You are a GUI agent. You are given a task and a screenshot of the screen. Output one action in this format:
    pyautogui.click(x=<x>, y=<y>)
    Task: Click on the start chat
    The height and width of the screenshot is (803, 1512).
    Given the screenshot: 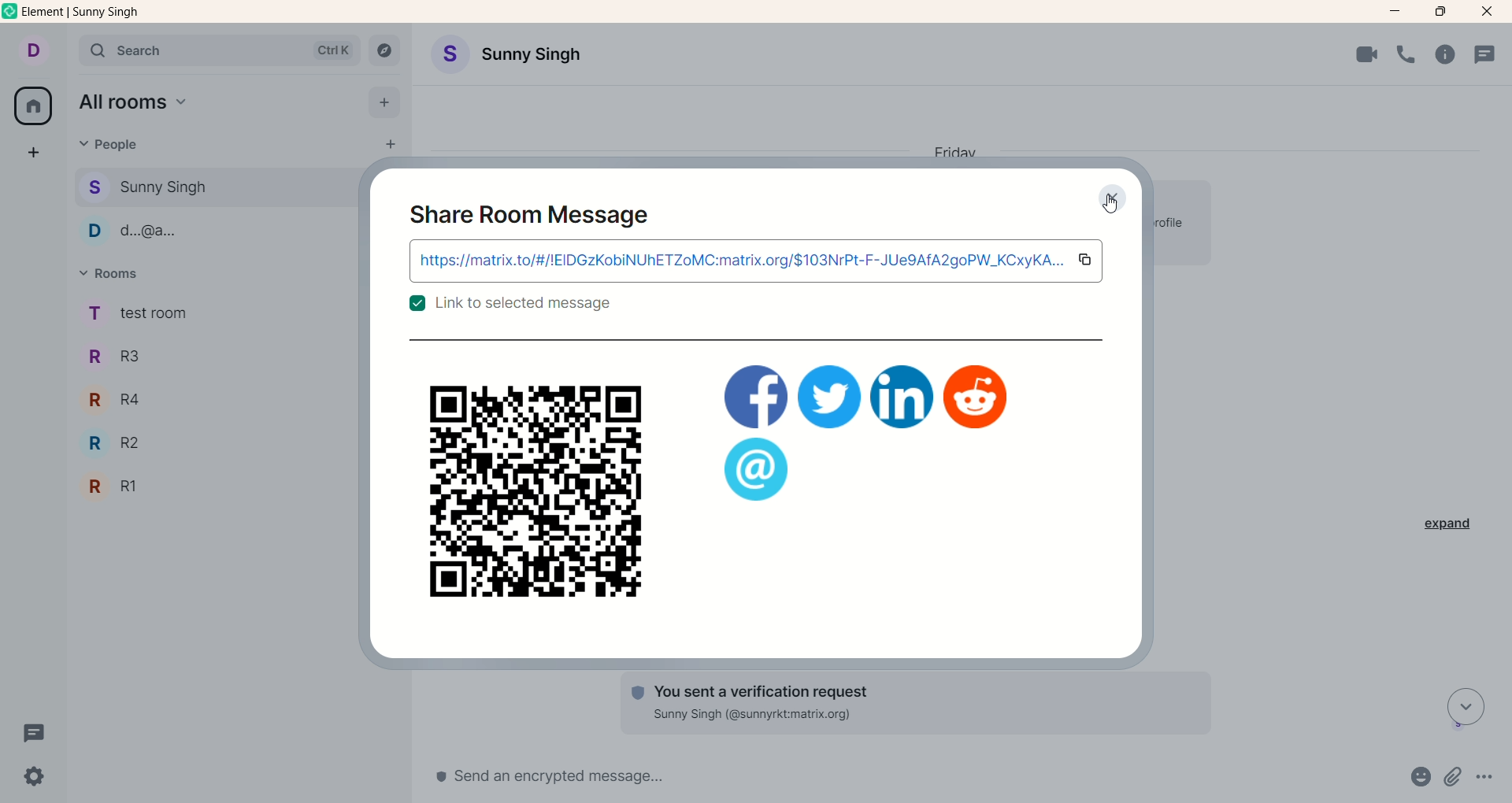 What is the action you would take?
    pyautogui.click(x=381, y=146)
    